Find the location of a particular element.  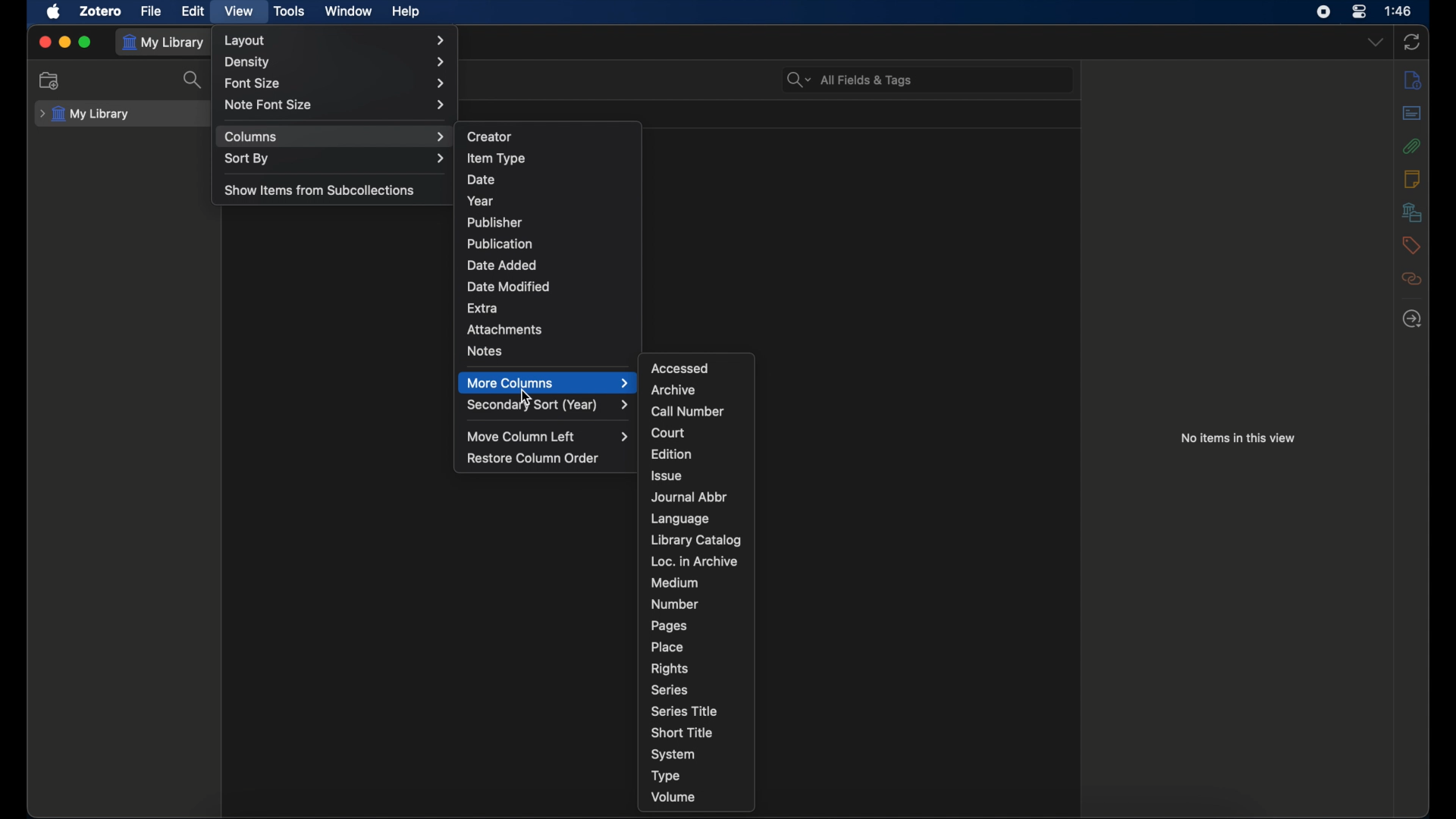

search is located at coordinates (194, 80).